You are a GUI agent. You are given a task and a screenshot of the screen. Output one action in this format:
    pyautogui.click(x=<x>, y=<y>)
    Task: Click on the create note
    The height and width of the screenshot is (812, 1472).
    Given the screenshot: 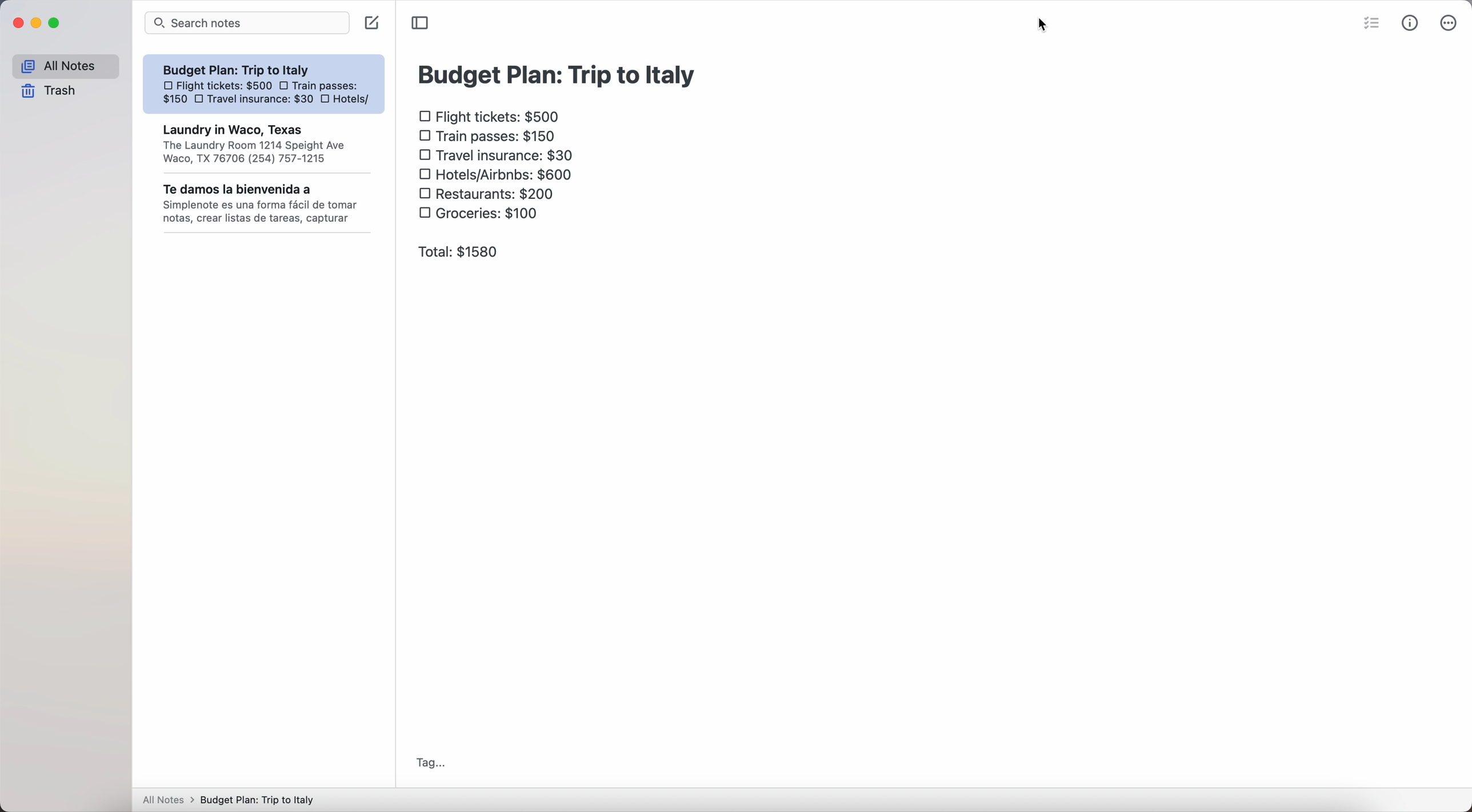 What is the action you would take?
    pyautogui.click(x=373, y=22)
    